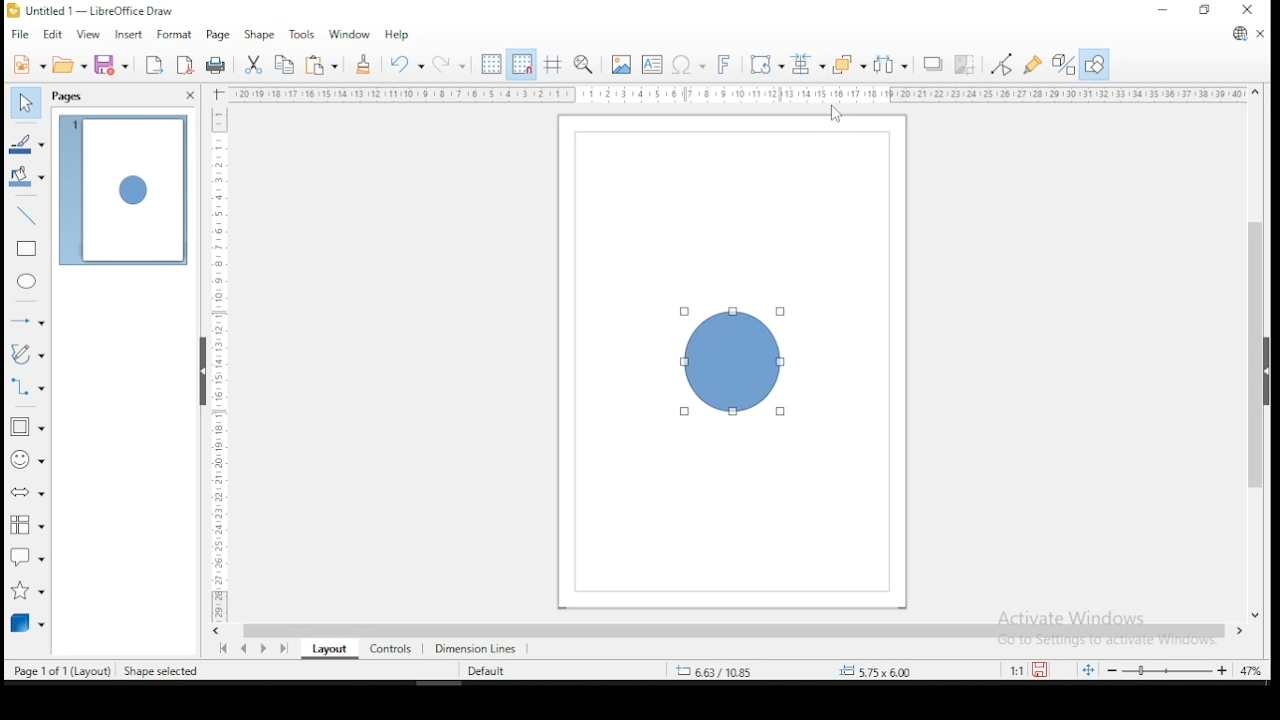 The height and width of the screenshot is (720, 1280). I want to click on zoom slider, so click(1166, 669).